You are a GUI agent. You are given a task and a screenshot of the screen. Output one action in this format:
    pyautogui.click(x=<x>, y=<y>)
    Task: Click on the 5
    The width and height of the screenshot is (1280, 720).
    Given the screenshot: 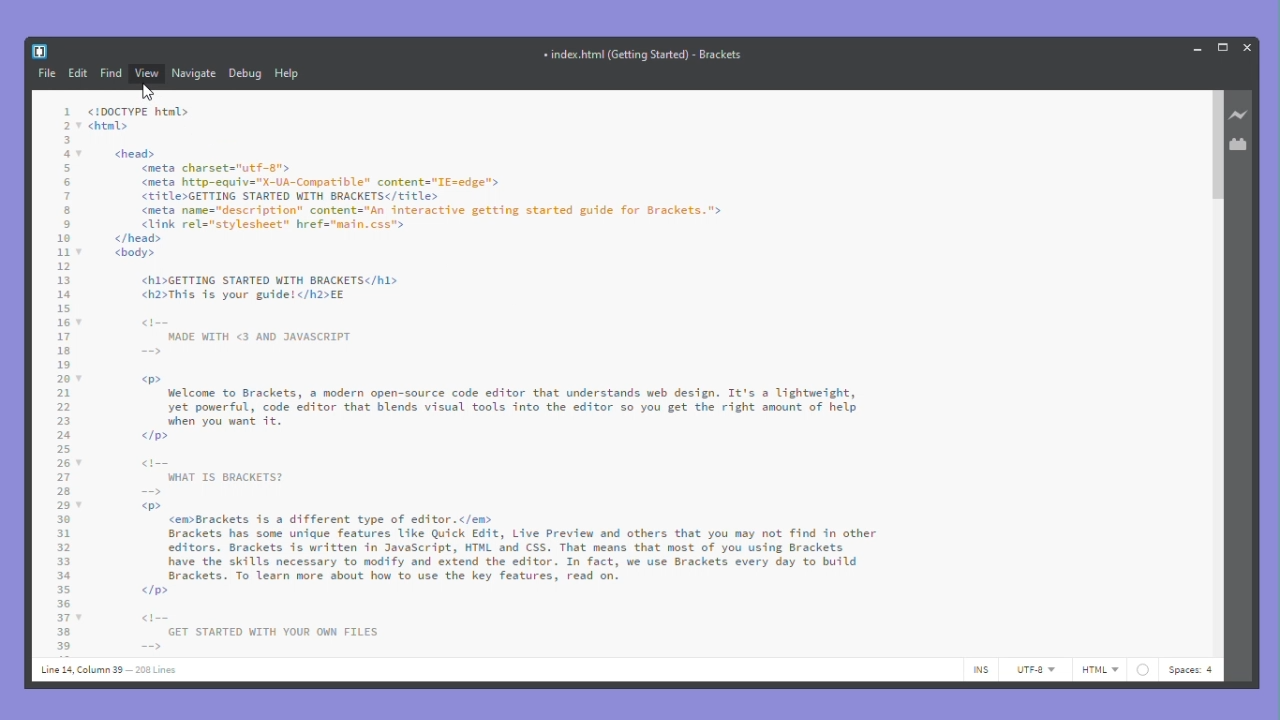 What is the action you would take?
    pyautogui.click(x=65, y=168)
    